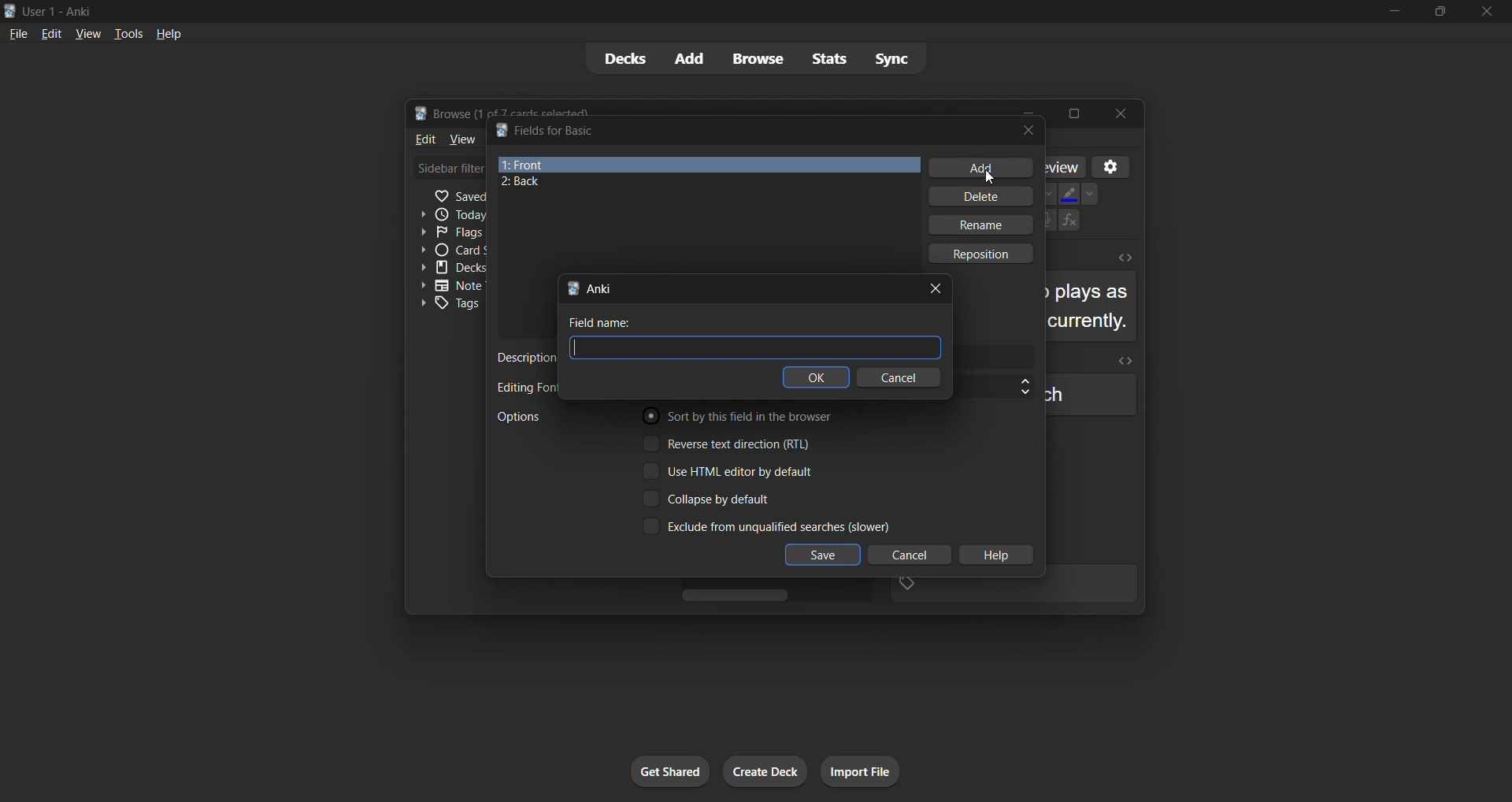  I want to click on reposition field, so click(987, 254).